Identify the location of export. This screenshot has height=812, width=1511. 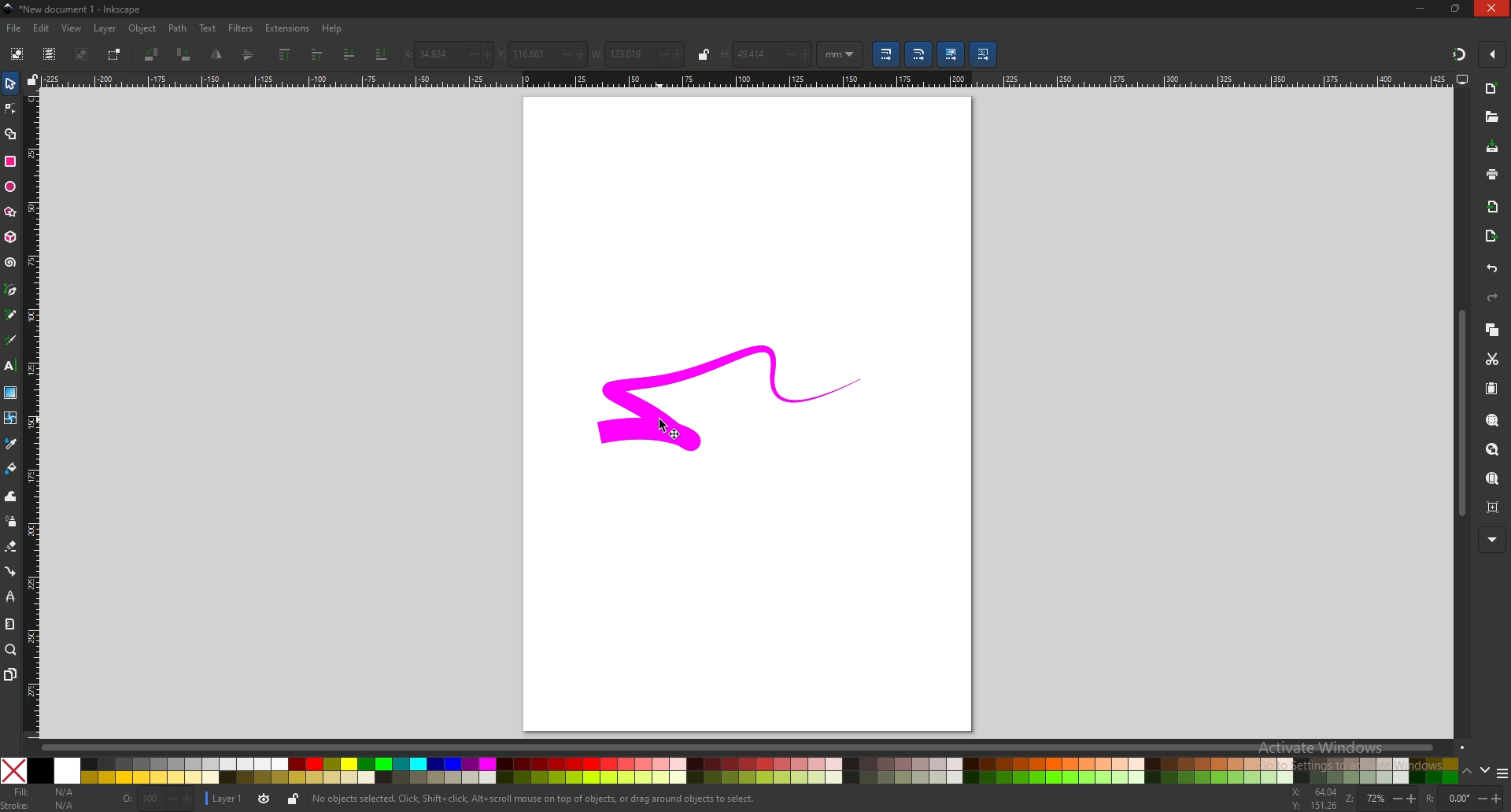
(1491, 236).